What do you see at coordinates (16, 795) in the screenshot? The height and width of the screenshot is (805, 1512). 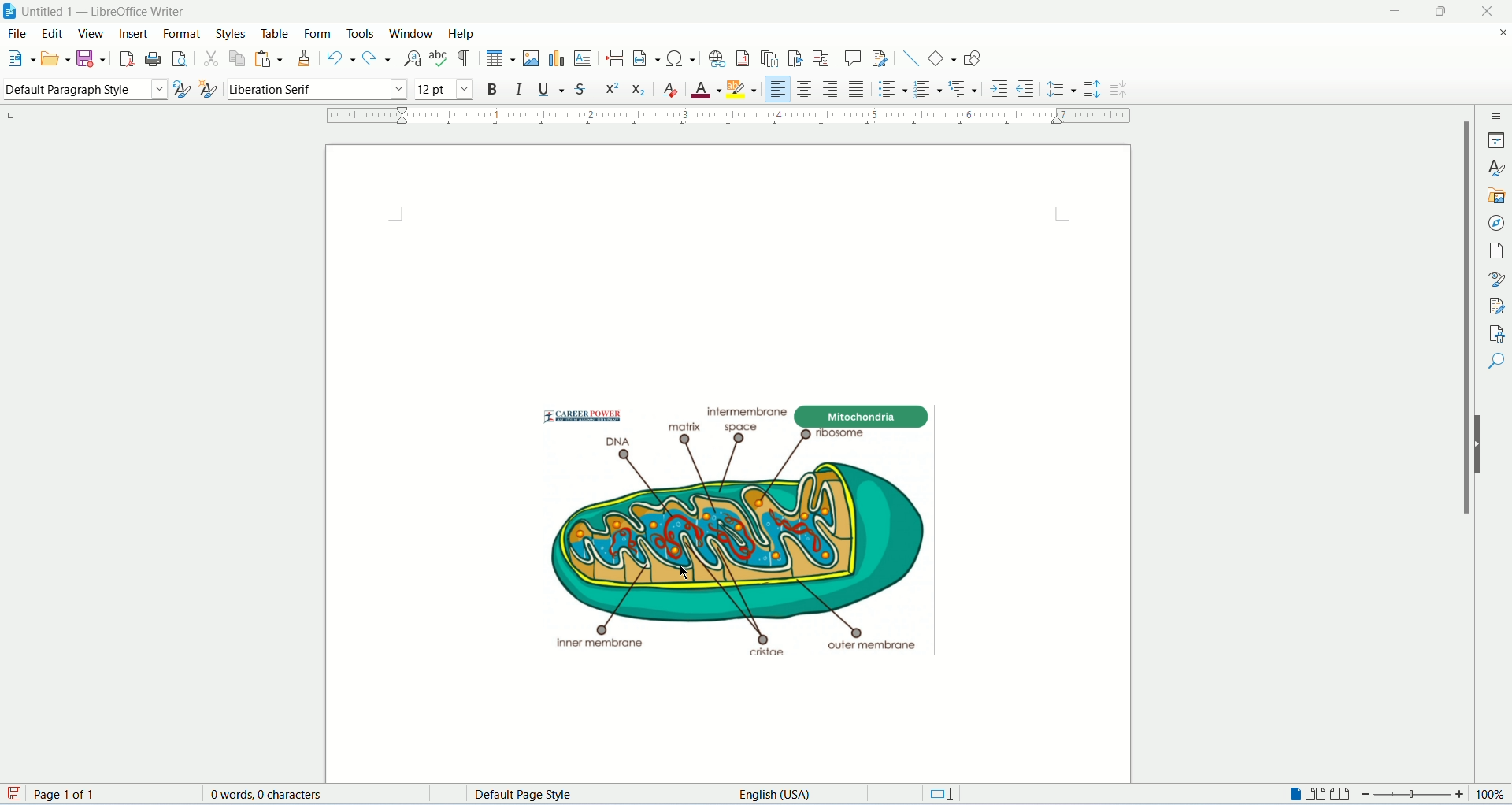 I see `save` at bounding box center [16, 795].